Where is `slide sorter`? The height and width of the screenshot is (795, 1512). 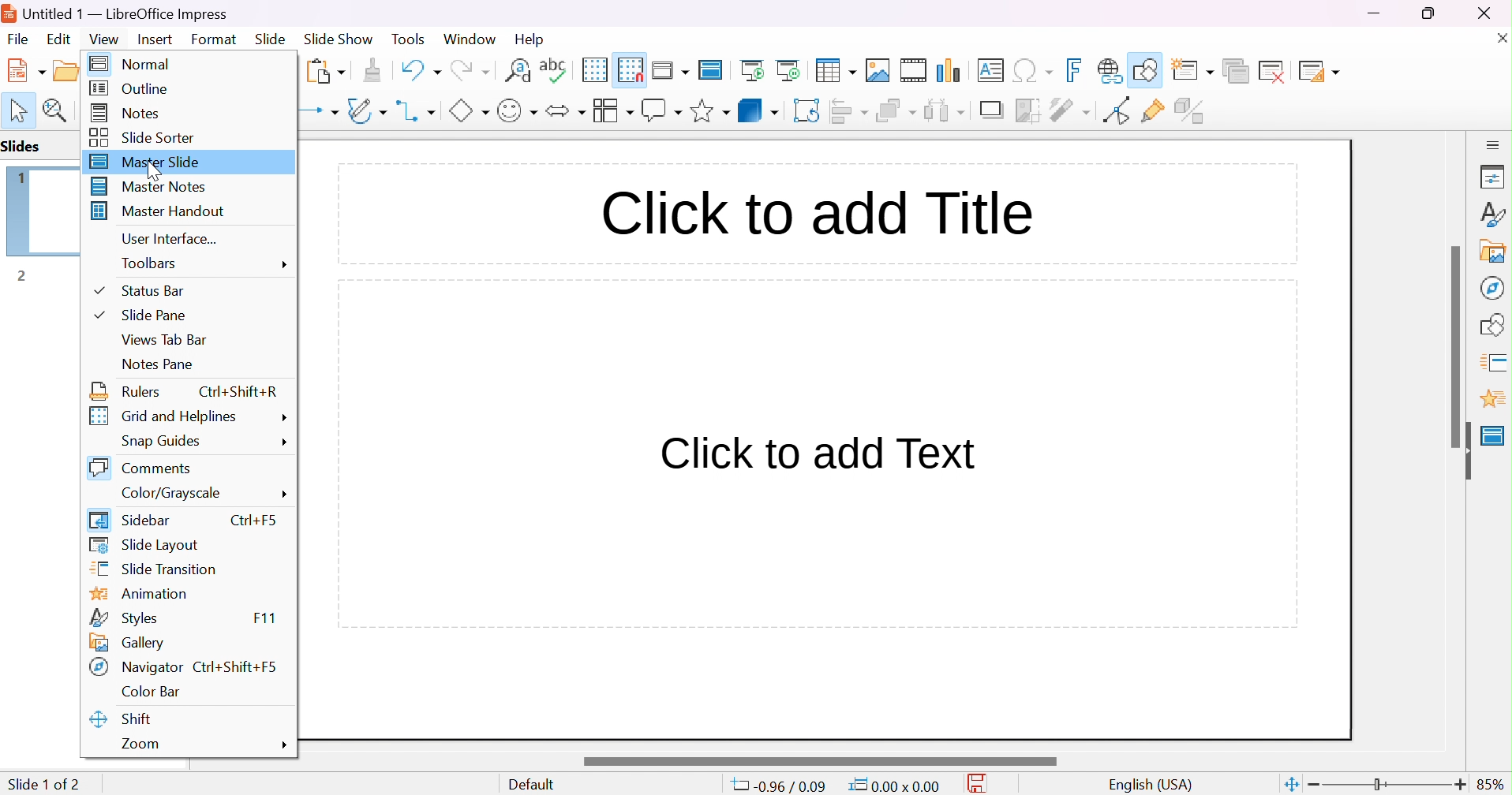
slide sorter is located at coordinates (146, 136).